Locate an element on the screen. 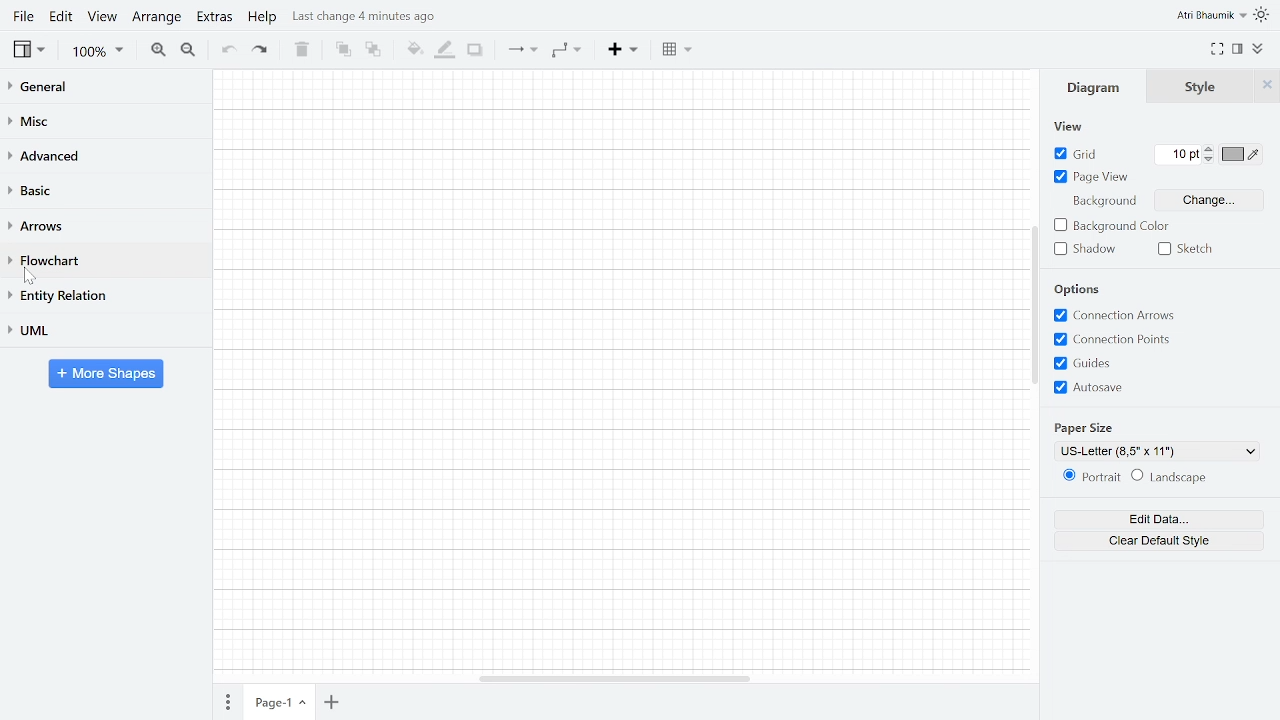 The height and width of the screenshot is (720, 1280). Increase grid pt is located at coordinates (1211, 149).